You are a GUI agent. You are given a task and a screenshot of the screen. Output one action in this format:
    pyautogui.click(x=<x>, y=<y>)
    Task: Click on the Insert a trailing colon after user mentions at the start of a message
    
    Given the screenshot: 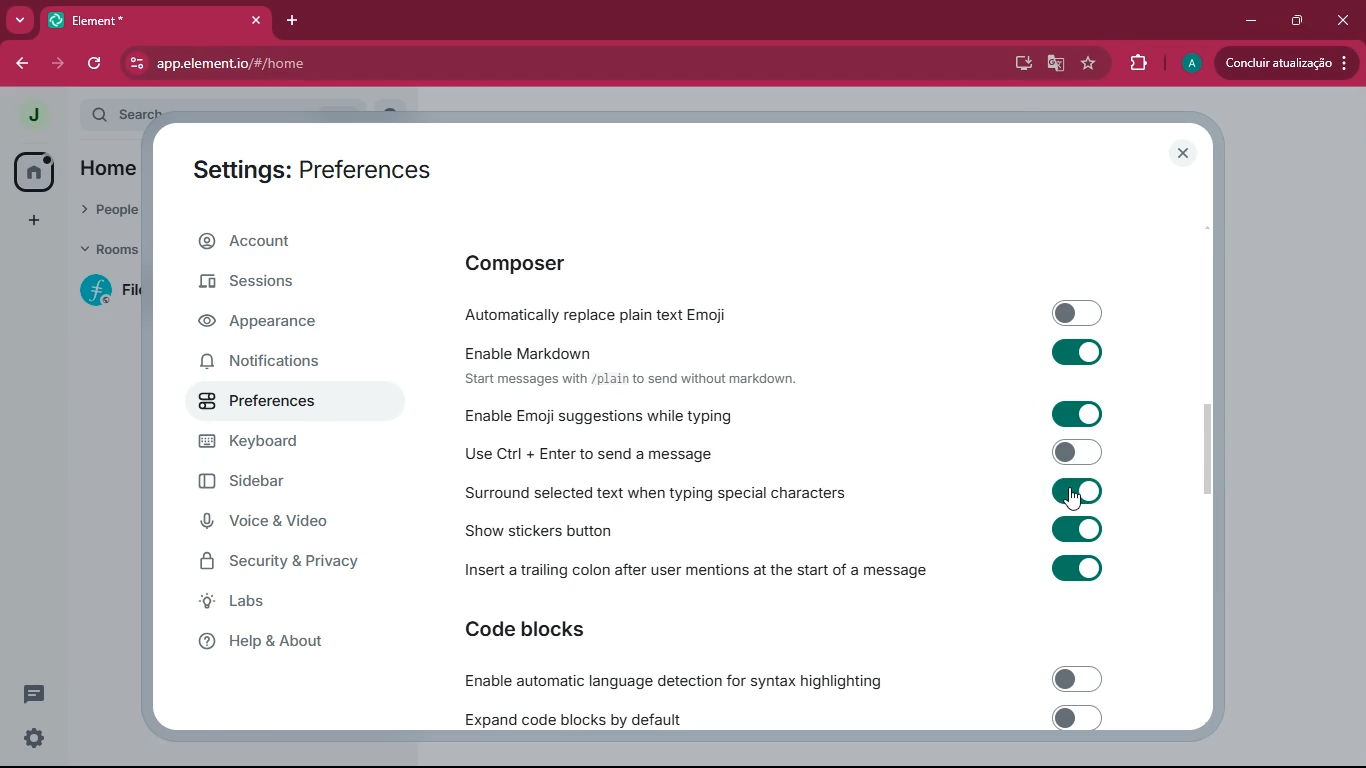 What is the action you would take?
    pyautogui.click(x=775, y=570)
    